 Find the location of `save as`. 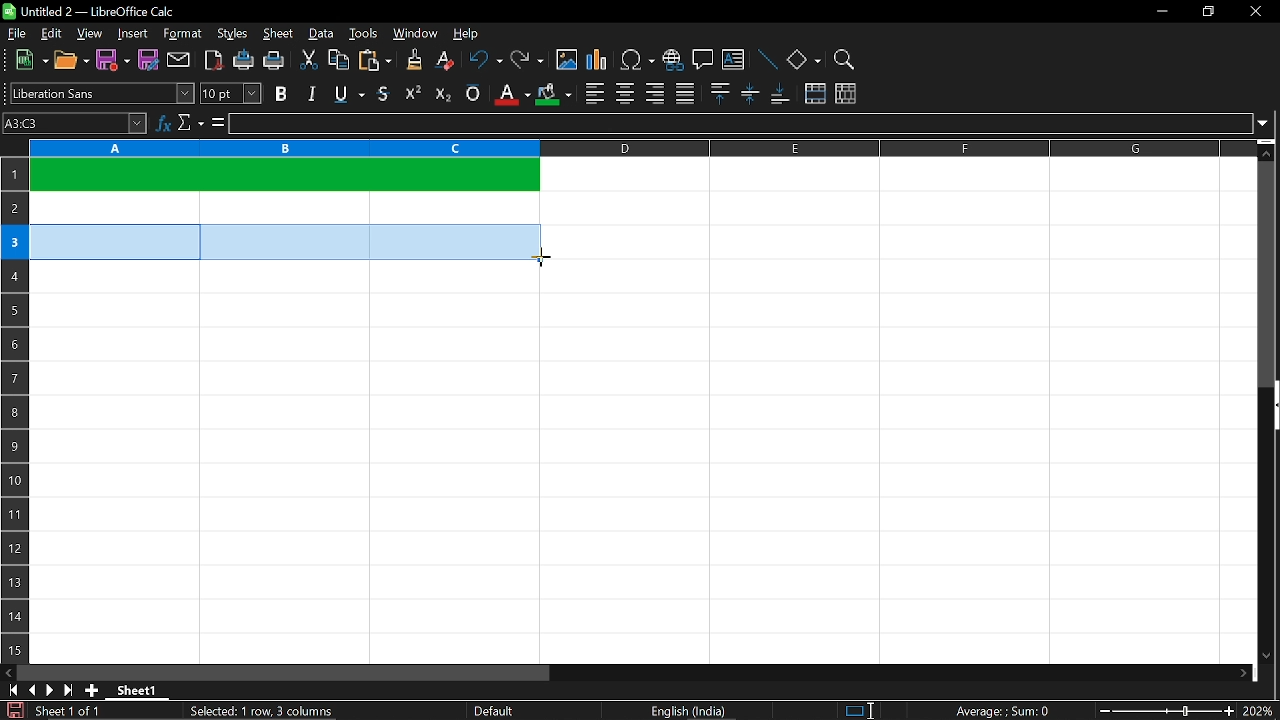

save as is located at coordinates (148, 59).